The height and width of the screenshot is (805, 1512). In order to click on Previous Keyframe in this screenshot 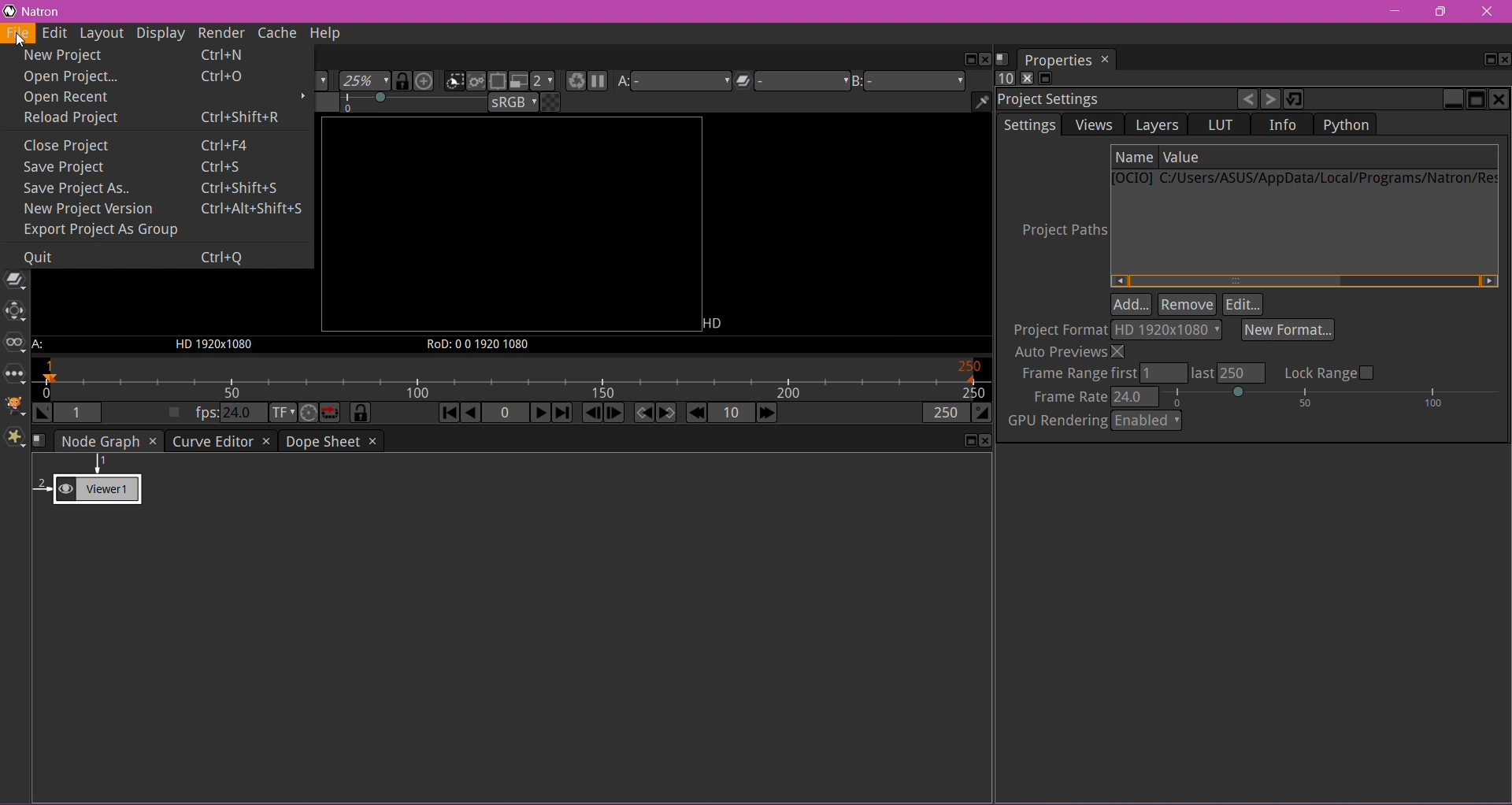, I will do `click(645, 414)`.